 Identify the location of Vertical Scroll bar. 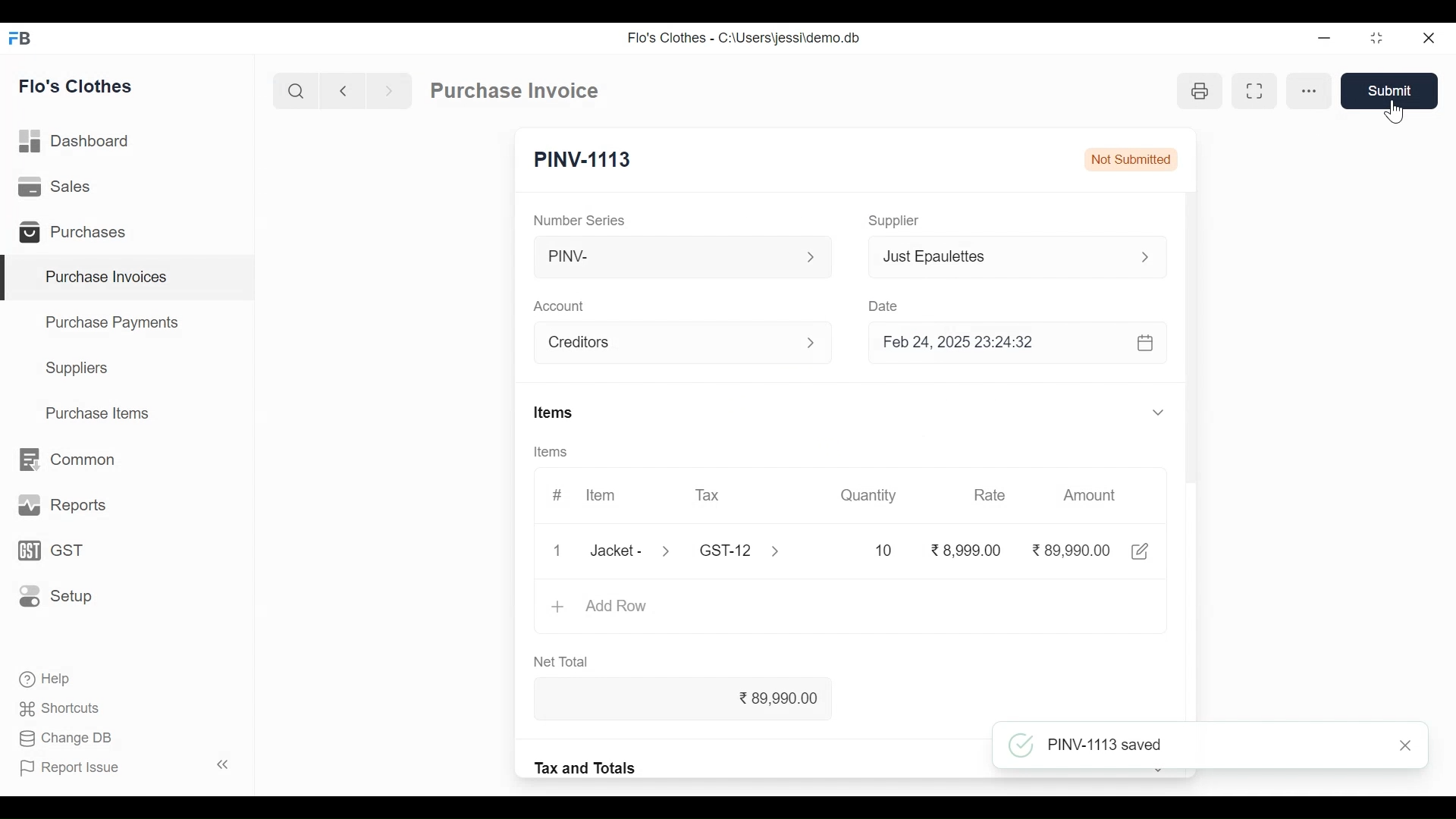
(1197, 416).